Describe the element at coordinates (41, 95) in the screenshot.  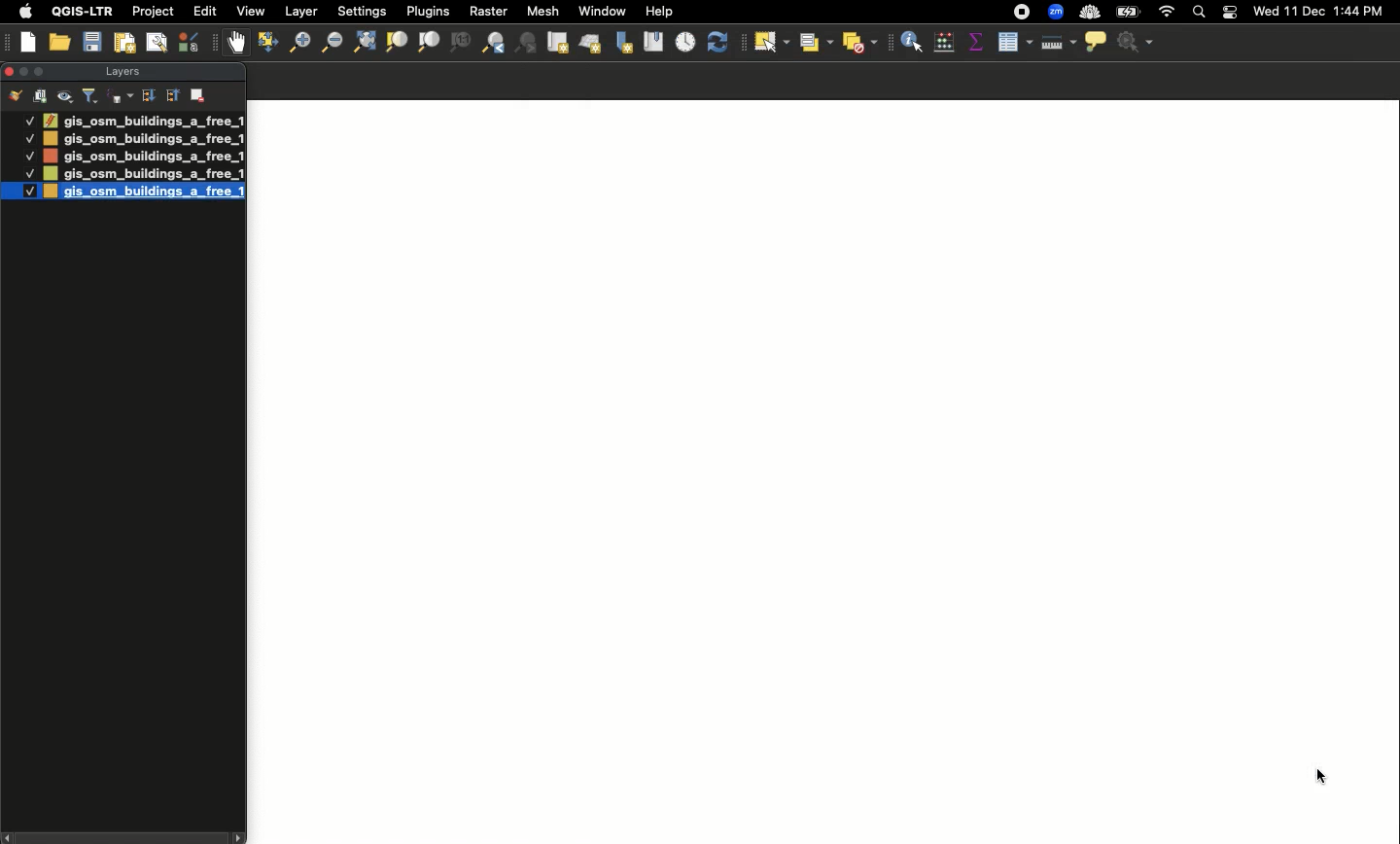
I see `Add group` at that location.